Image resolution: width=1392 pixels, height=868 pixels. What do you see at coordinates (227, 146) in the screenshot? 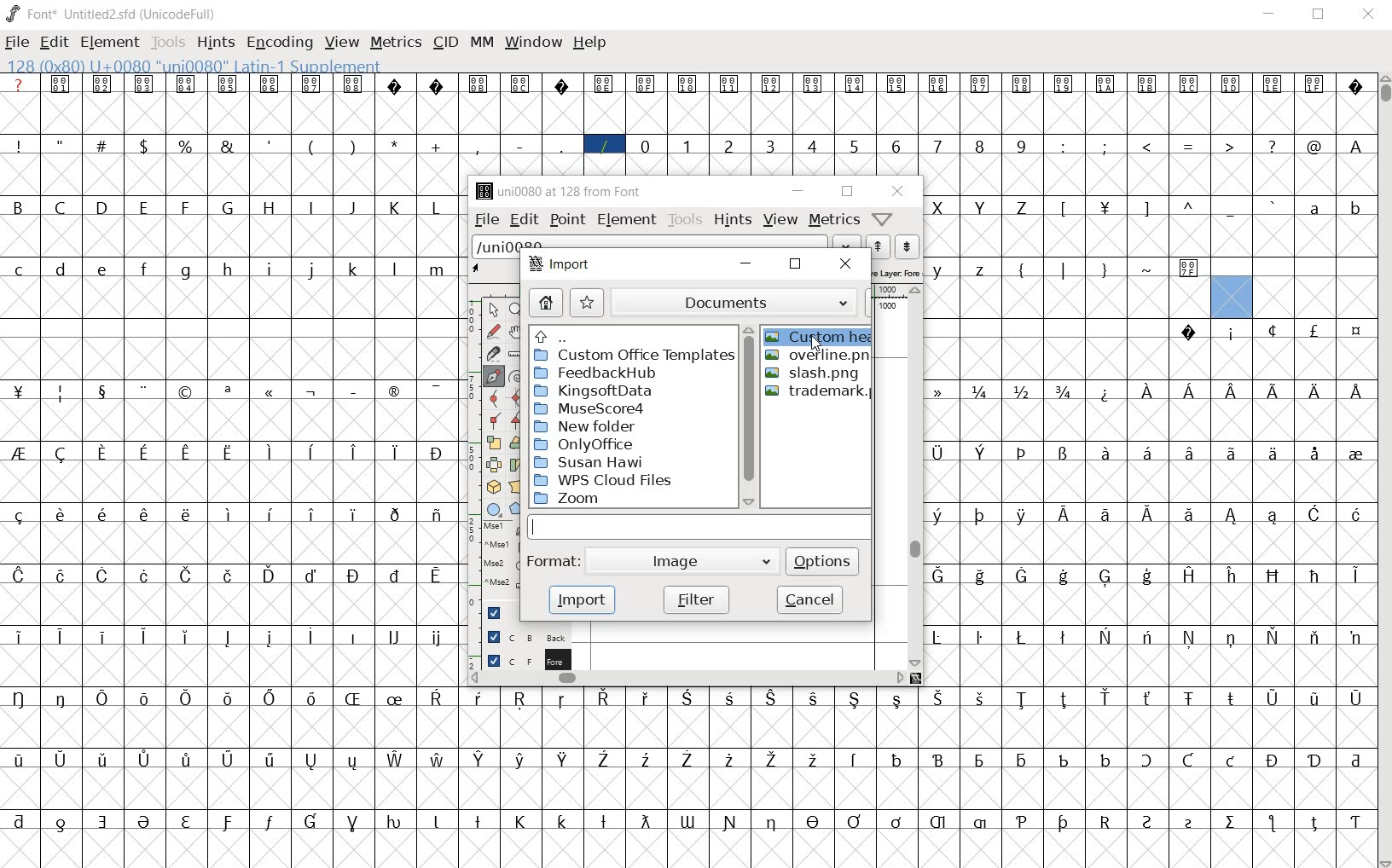
I see `glyph` at bounding box center [227, 146].